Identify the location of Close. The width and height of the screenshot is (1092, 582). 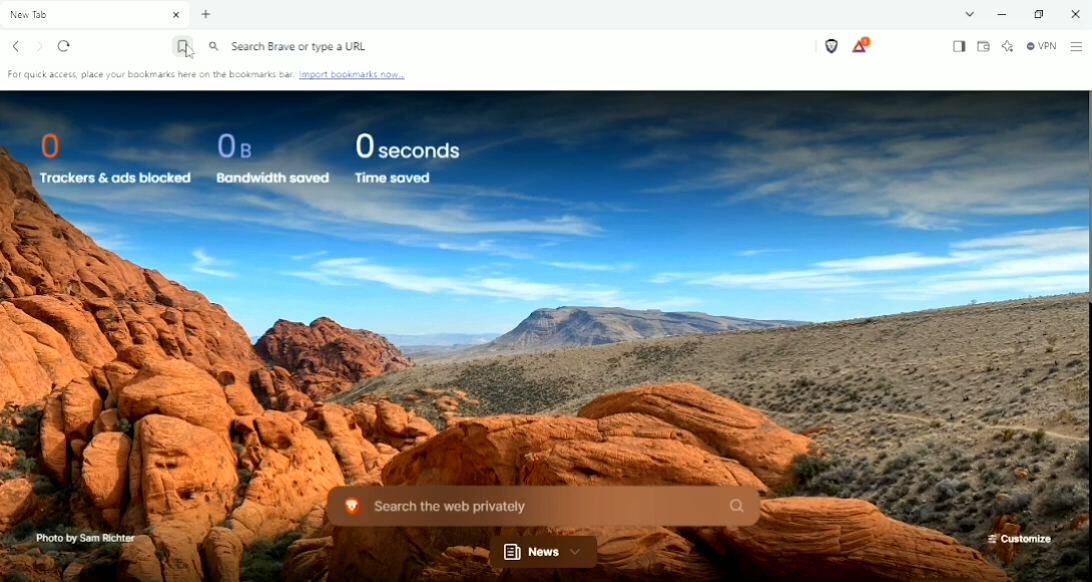
(1074, 13).